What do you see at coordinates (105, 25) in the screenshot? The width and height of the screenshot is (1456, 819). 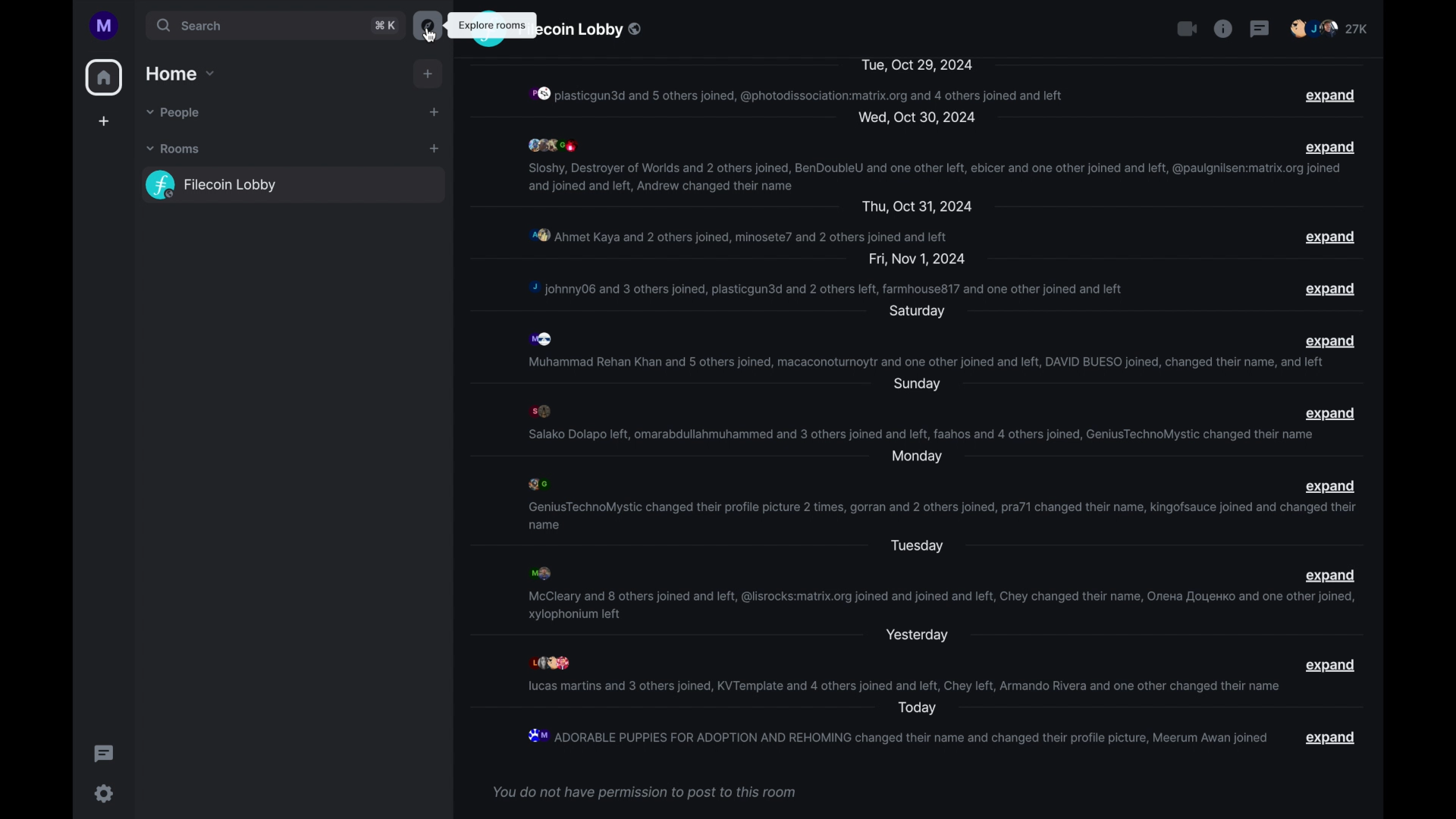 I see `account name` at bounding box center [105, 25].